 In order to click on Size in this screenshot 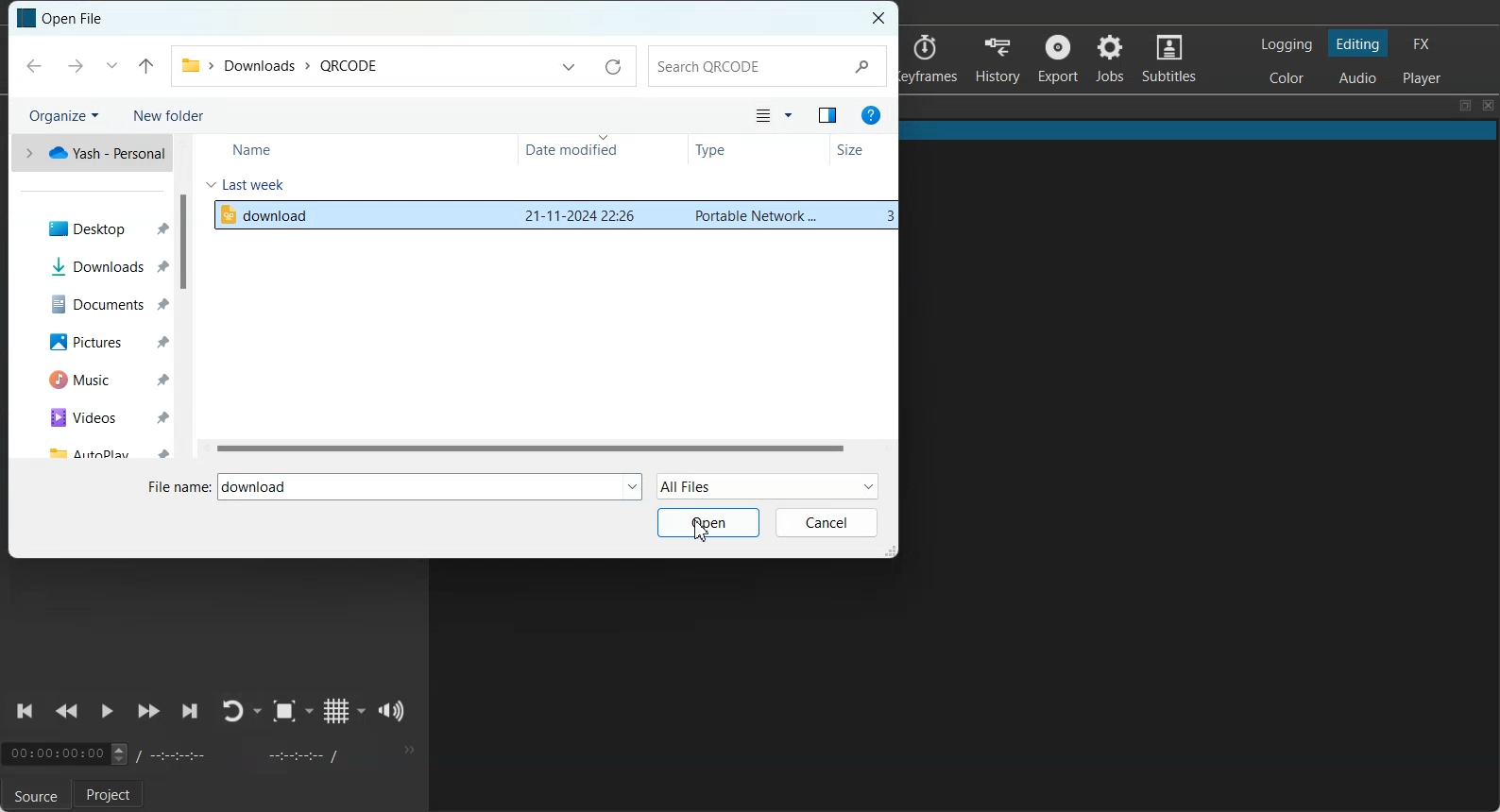, I will do `click(858, 147)`.